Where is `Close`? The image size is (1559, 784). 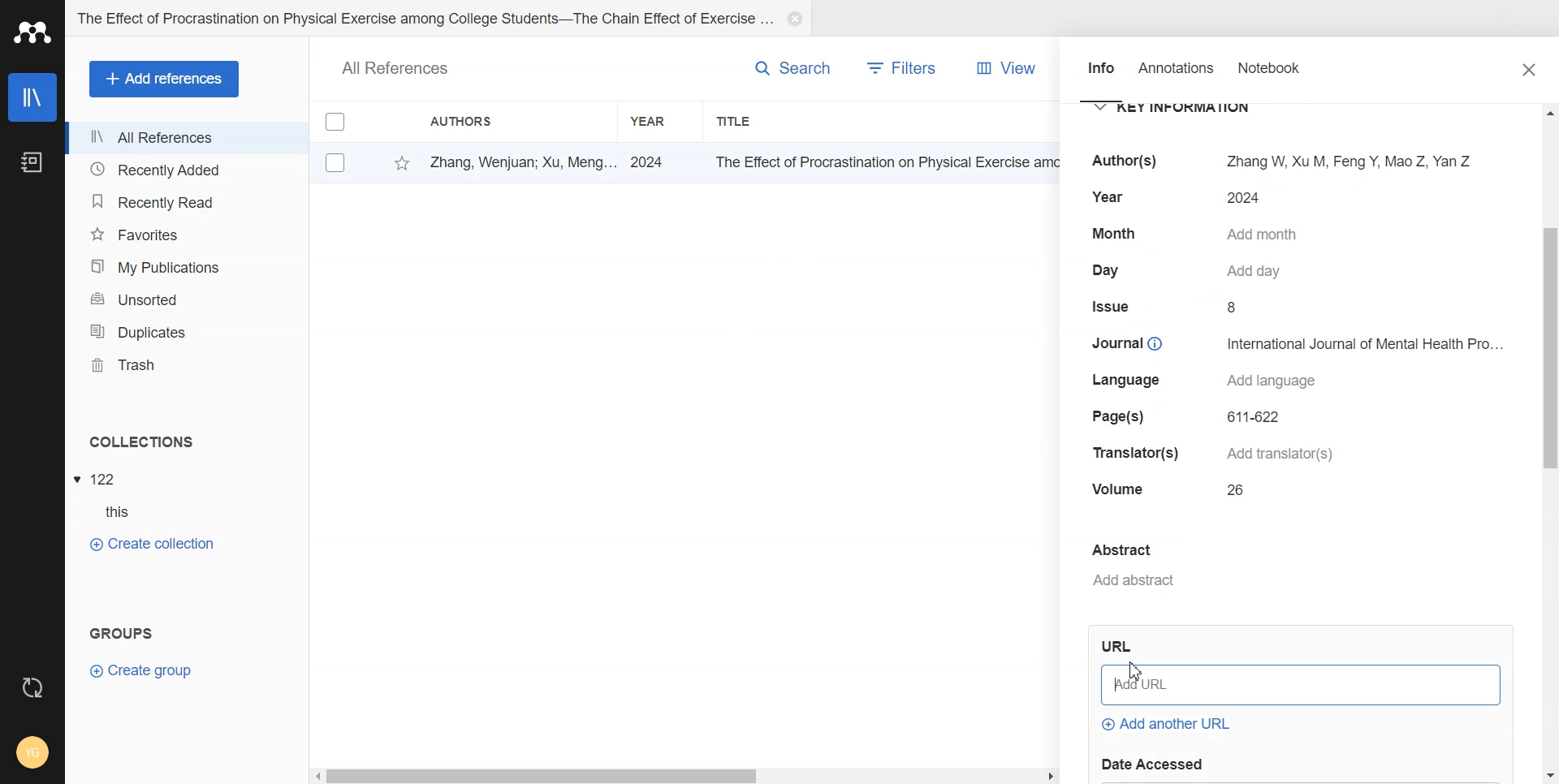
Close is located at coordinates (796, 19).